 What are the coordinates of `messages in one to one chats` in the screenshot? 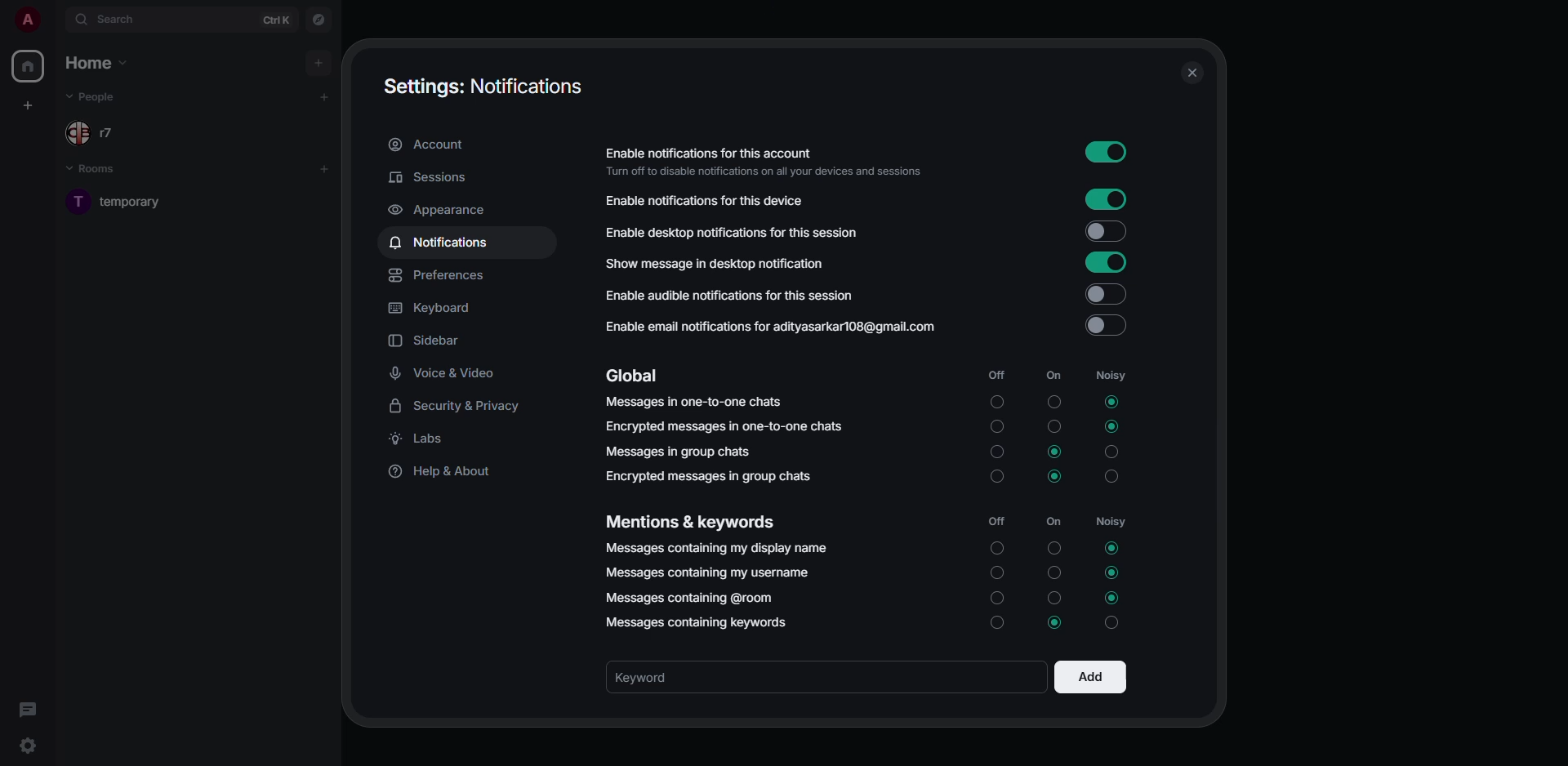 It's located at (696, 403).